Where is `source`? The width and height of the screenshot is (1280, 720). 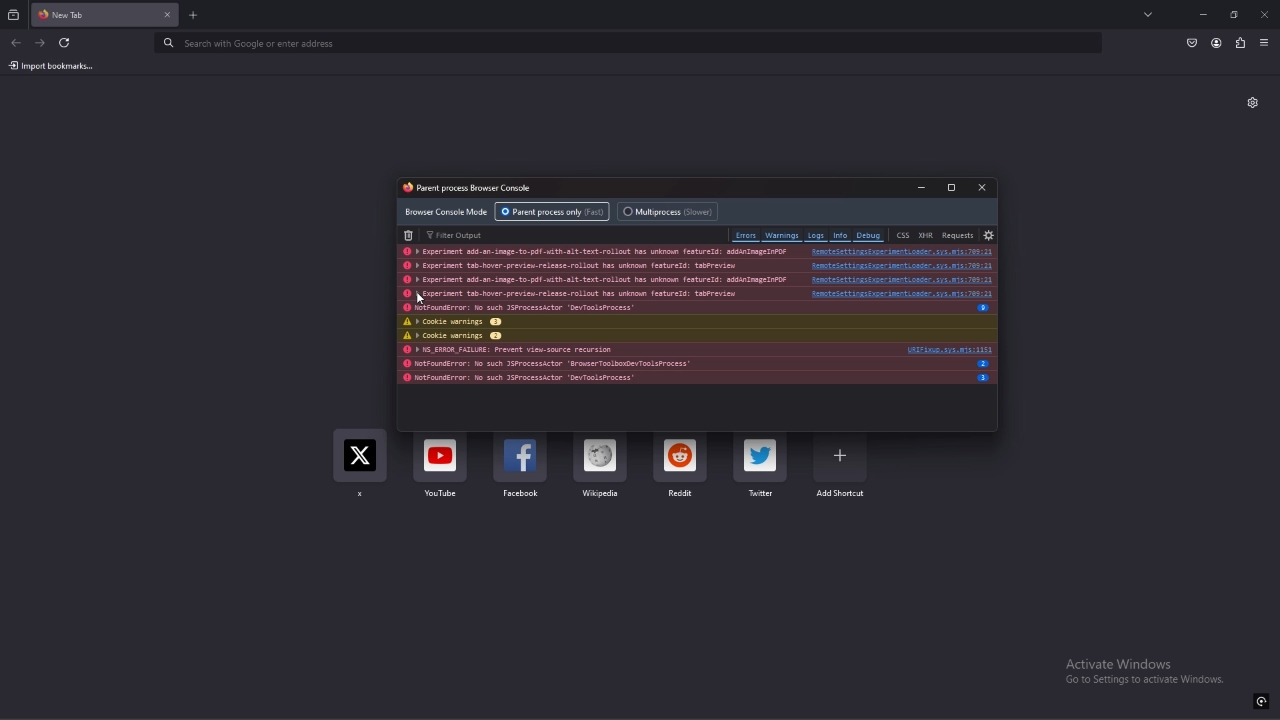 source is located at coordinates (901, 279).